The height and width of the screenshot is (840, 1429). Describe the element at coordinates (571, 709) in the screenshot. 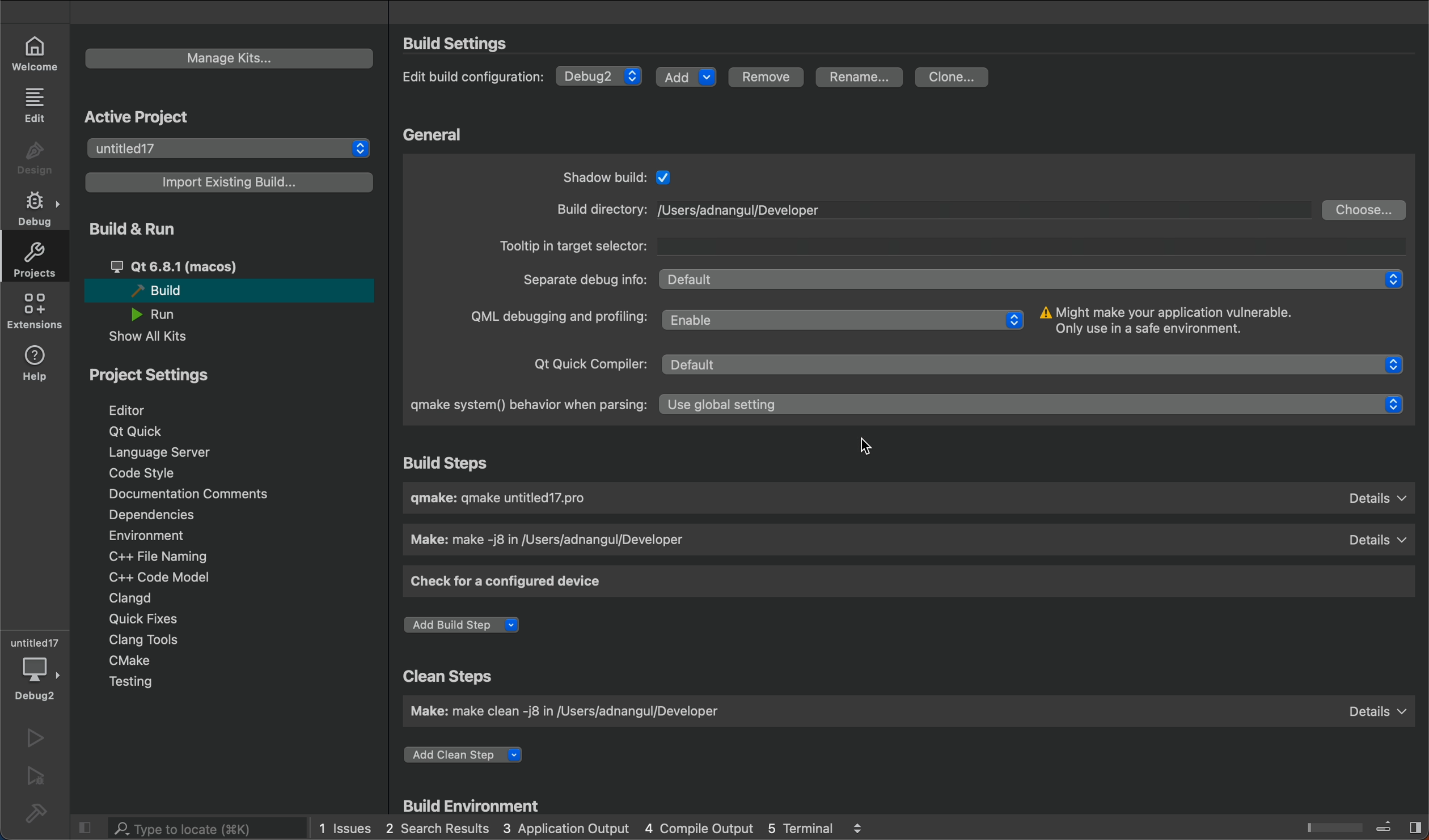

I see `make` at that location.